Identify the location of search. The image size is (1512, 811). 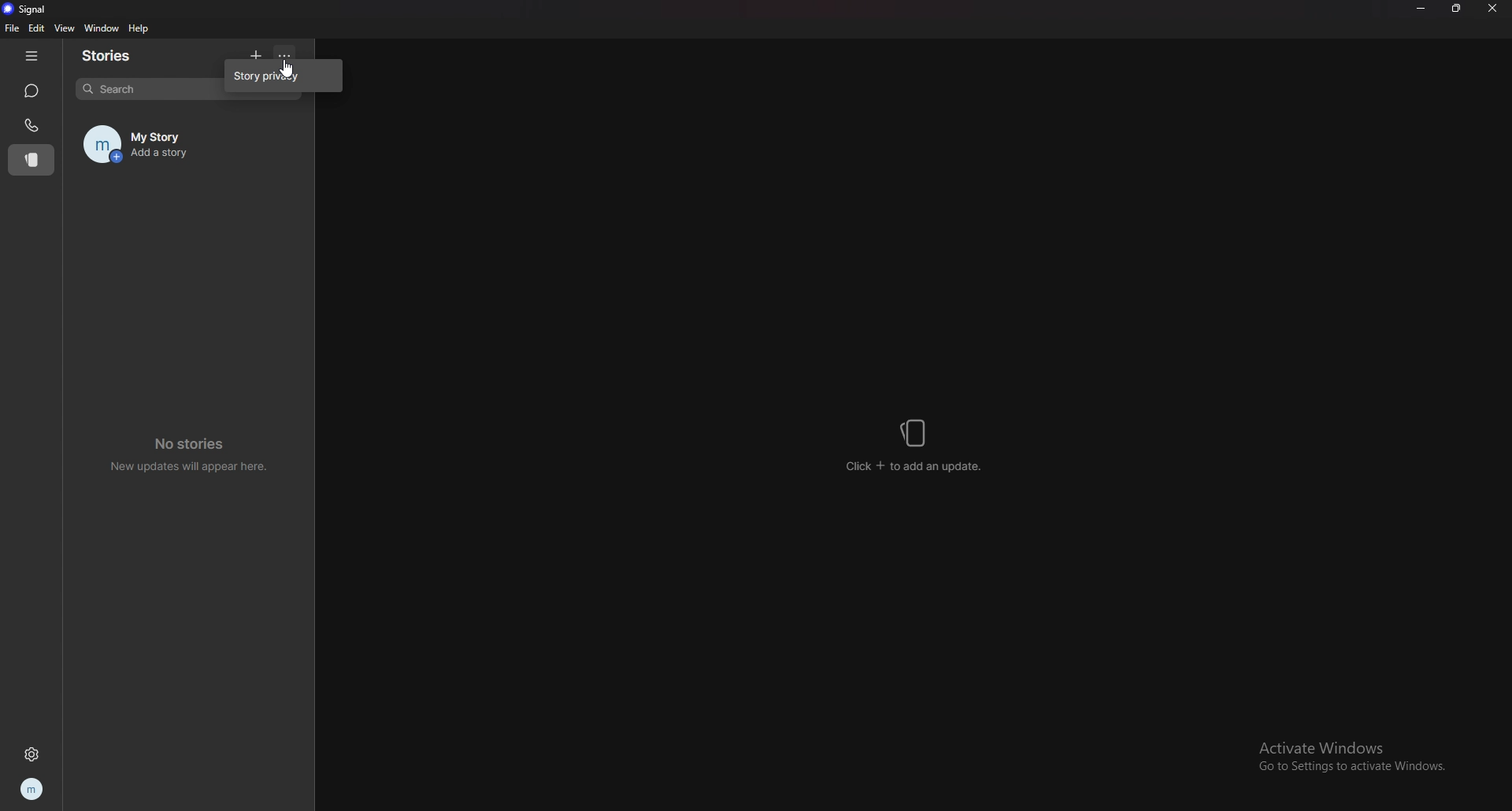
(148, 87).